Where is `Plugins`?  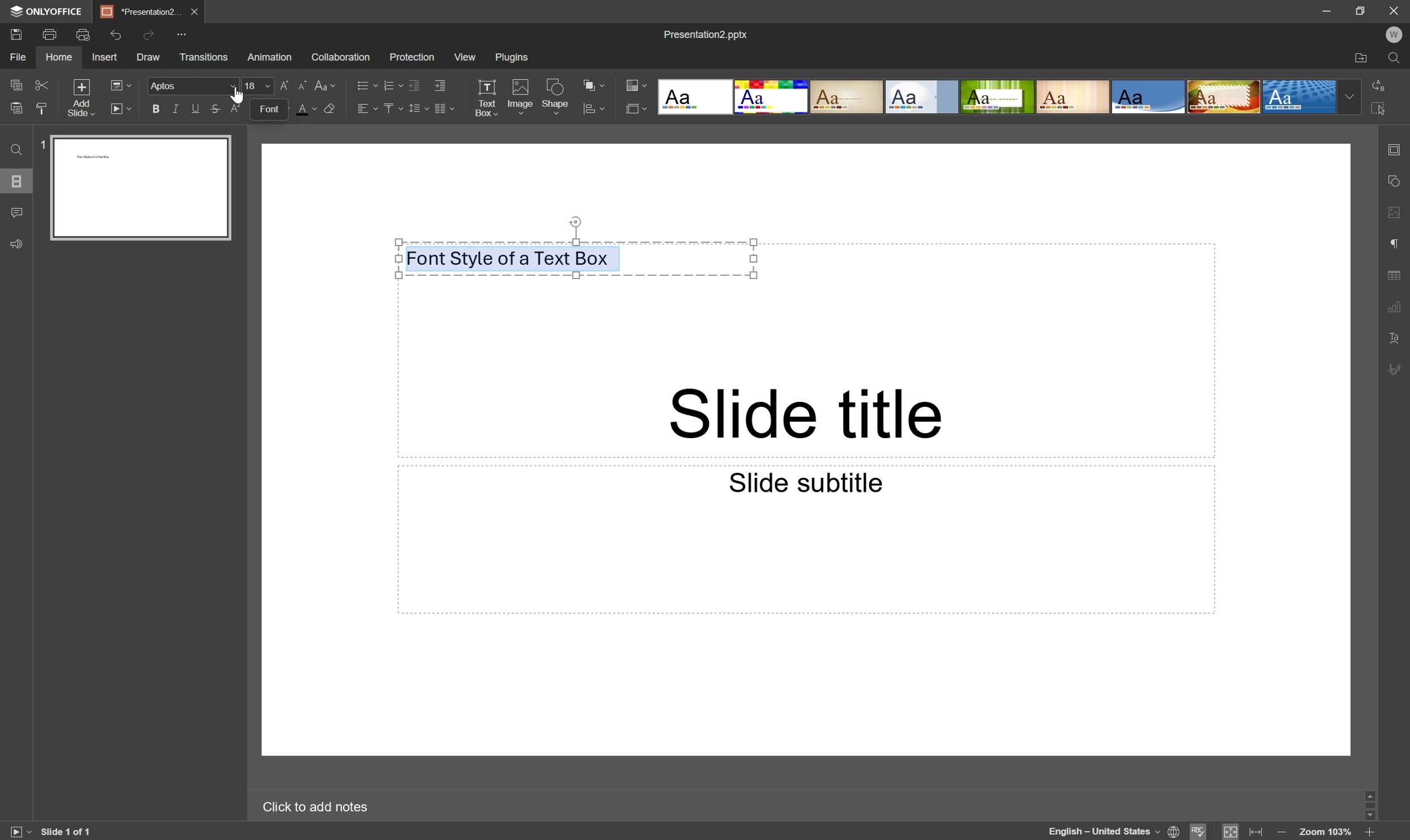
Plugins is located at coordinates (512, 57).